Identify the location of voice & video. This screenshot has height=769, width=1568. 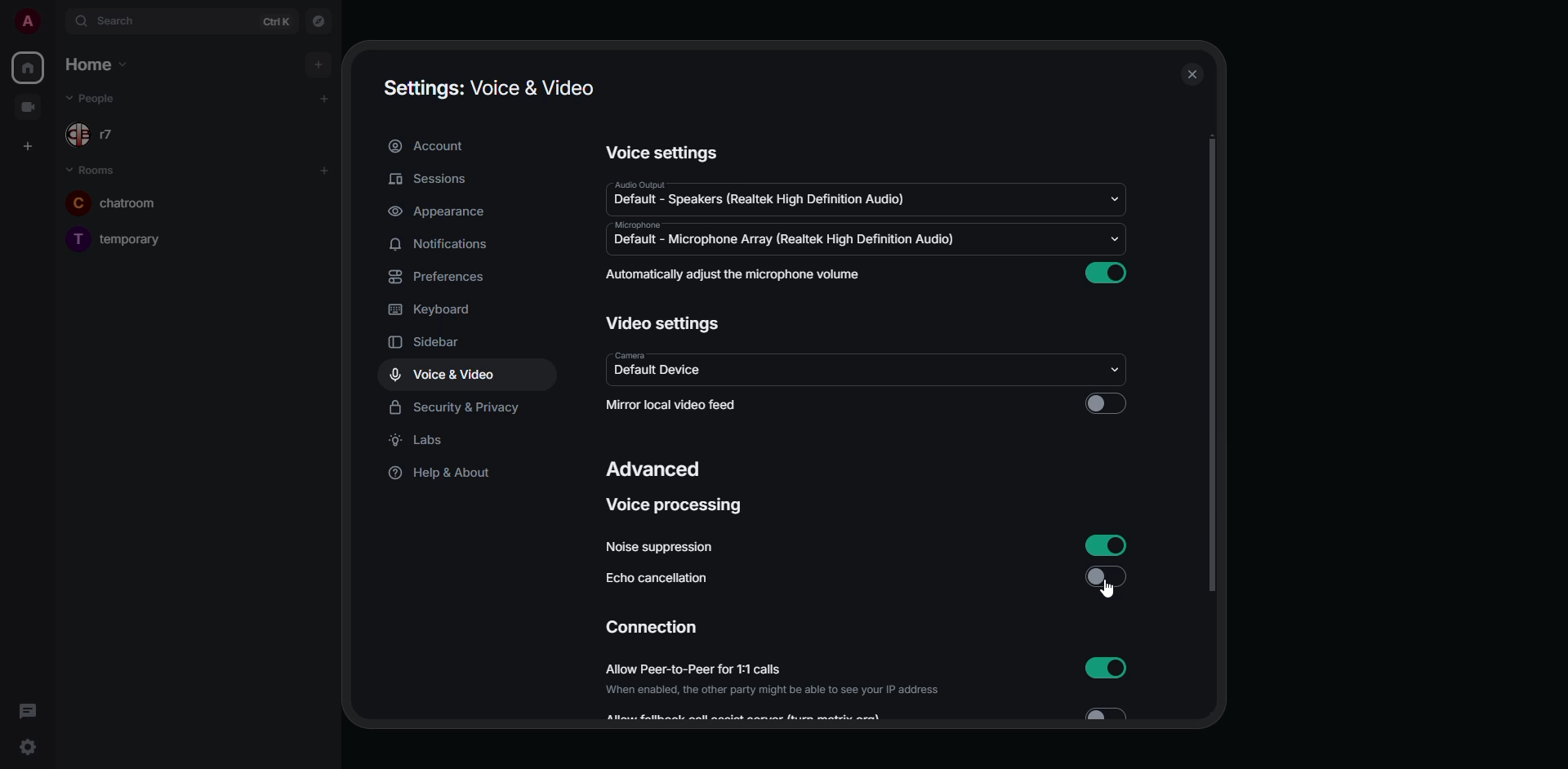
(443, 376).